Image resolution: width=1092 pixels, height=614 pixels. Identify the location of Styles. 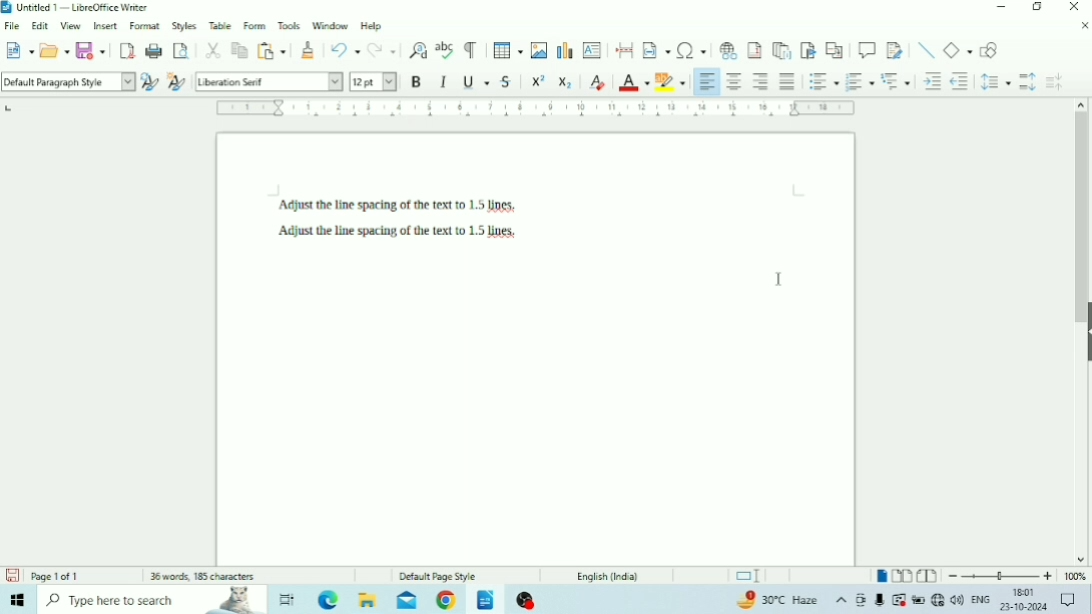
(184, 25).